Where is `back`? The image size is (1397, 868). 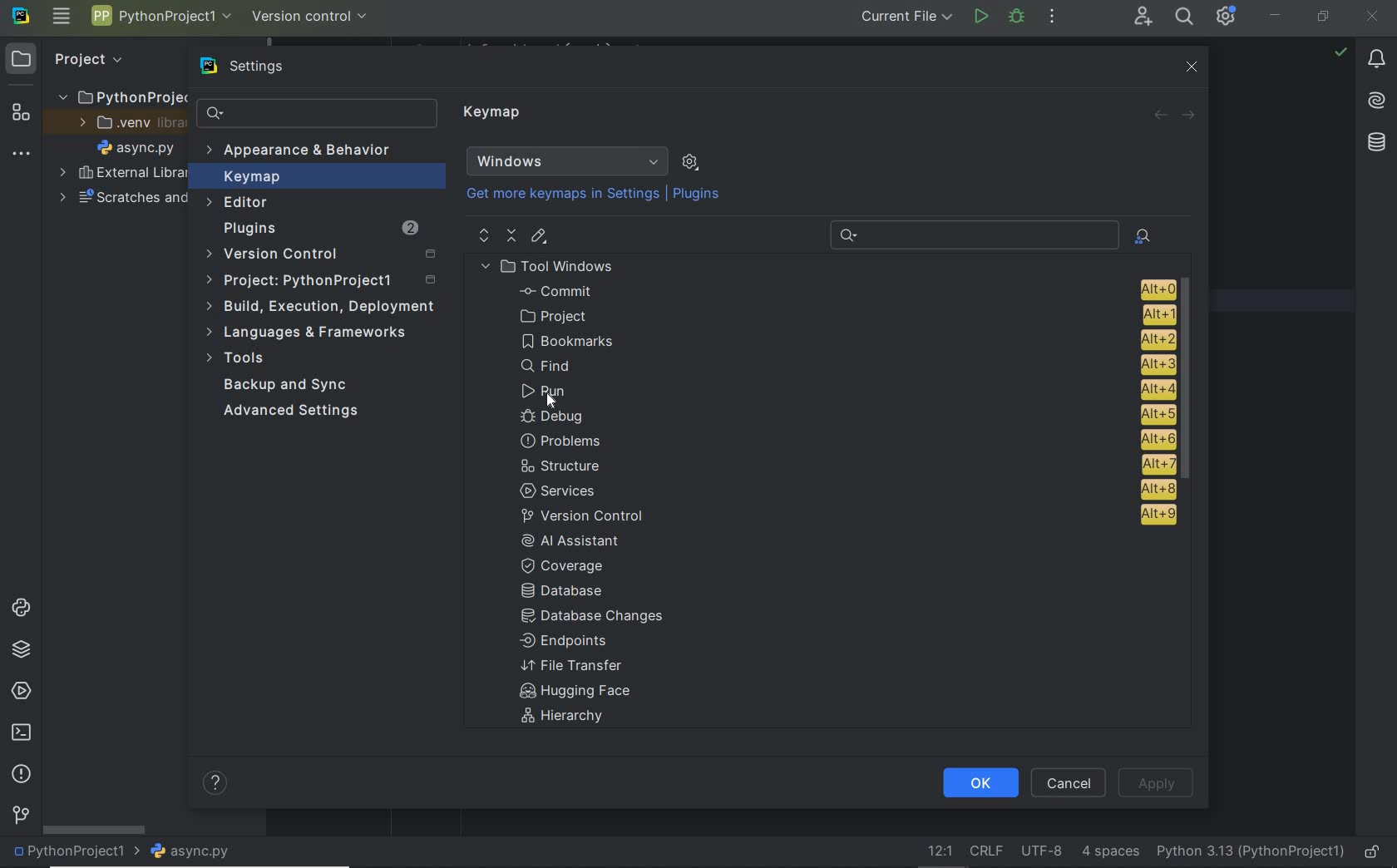 back is located at coordinates (1161, 116).